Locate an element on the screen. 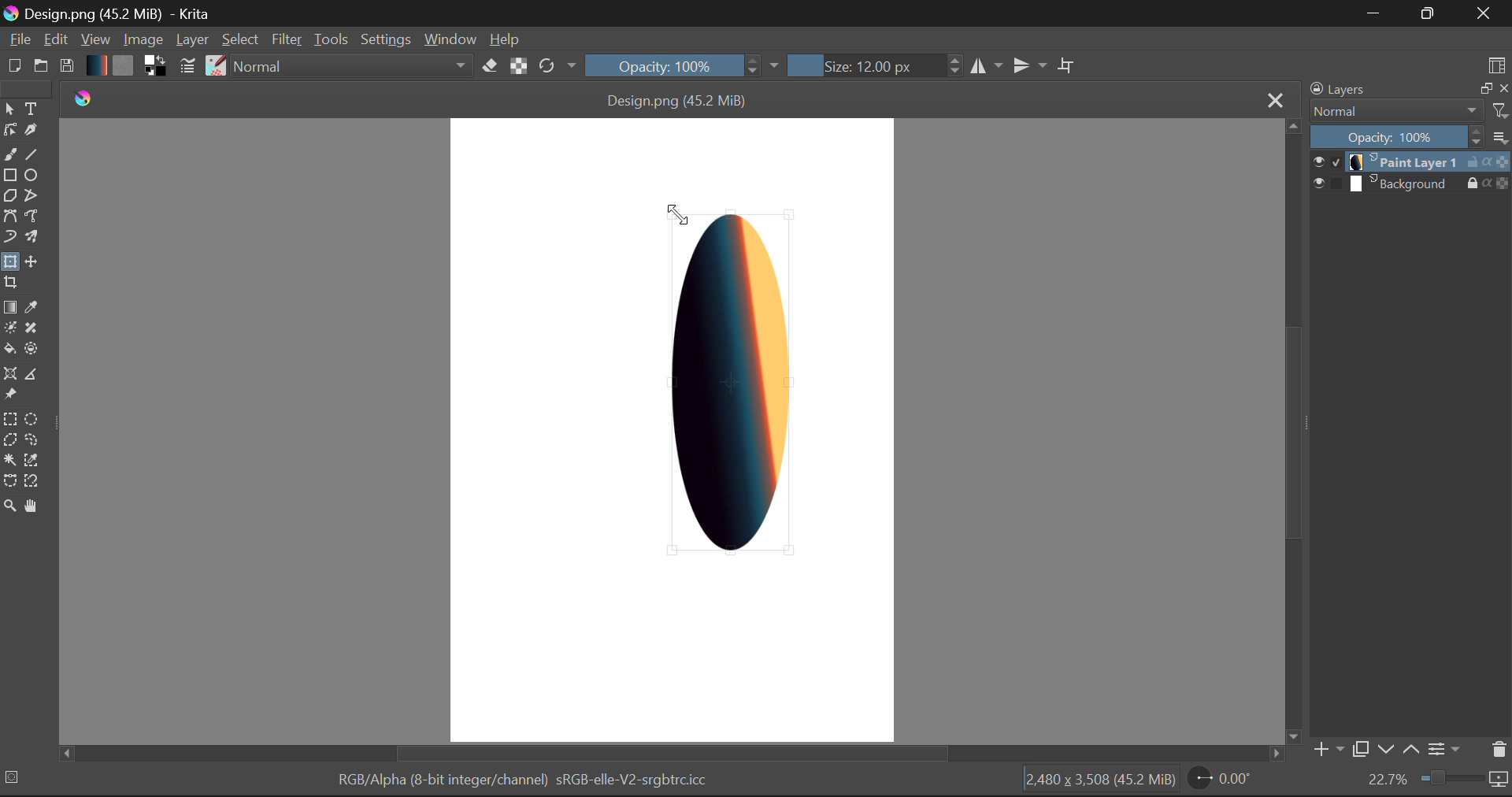 The image size is (1512, 797). Pan is located at coordinates (33, 508).